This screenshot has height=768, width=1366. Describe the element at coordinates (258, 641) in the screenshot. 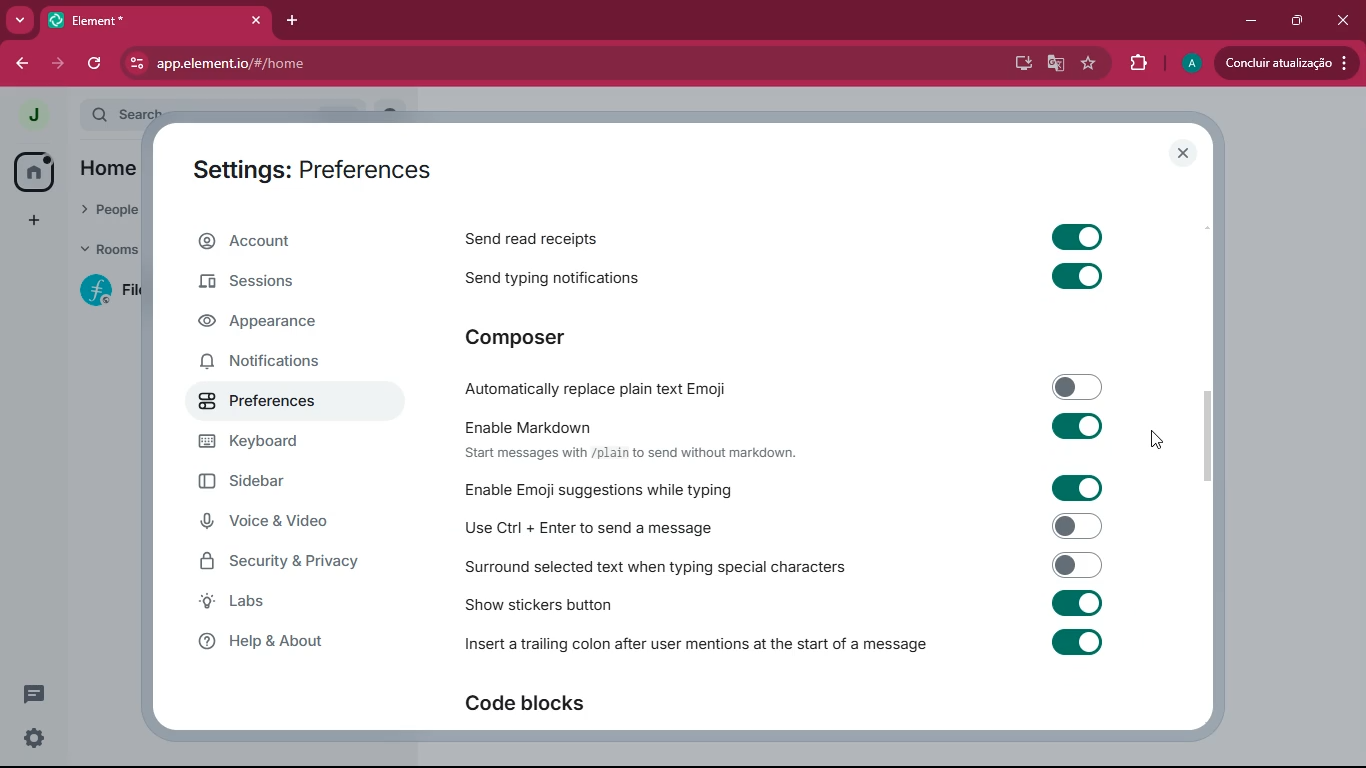

I see `Help & About` at that location.